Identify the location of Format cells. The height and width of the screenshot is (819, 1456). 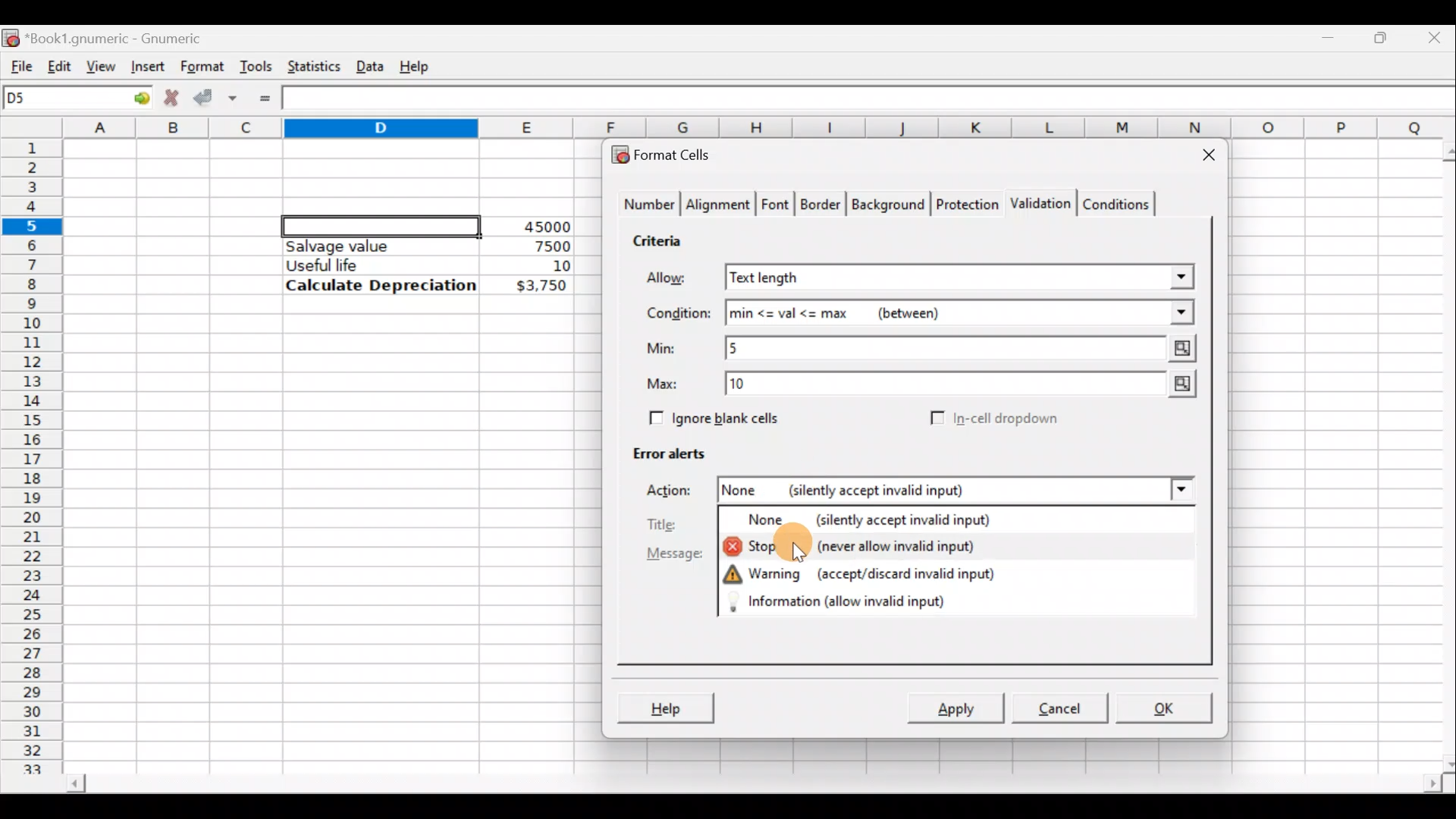
(670, 152).